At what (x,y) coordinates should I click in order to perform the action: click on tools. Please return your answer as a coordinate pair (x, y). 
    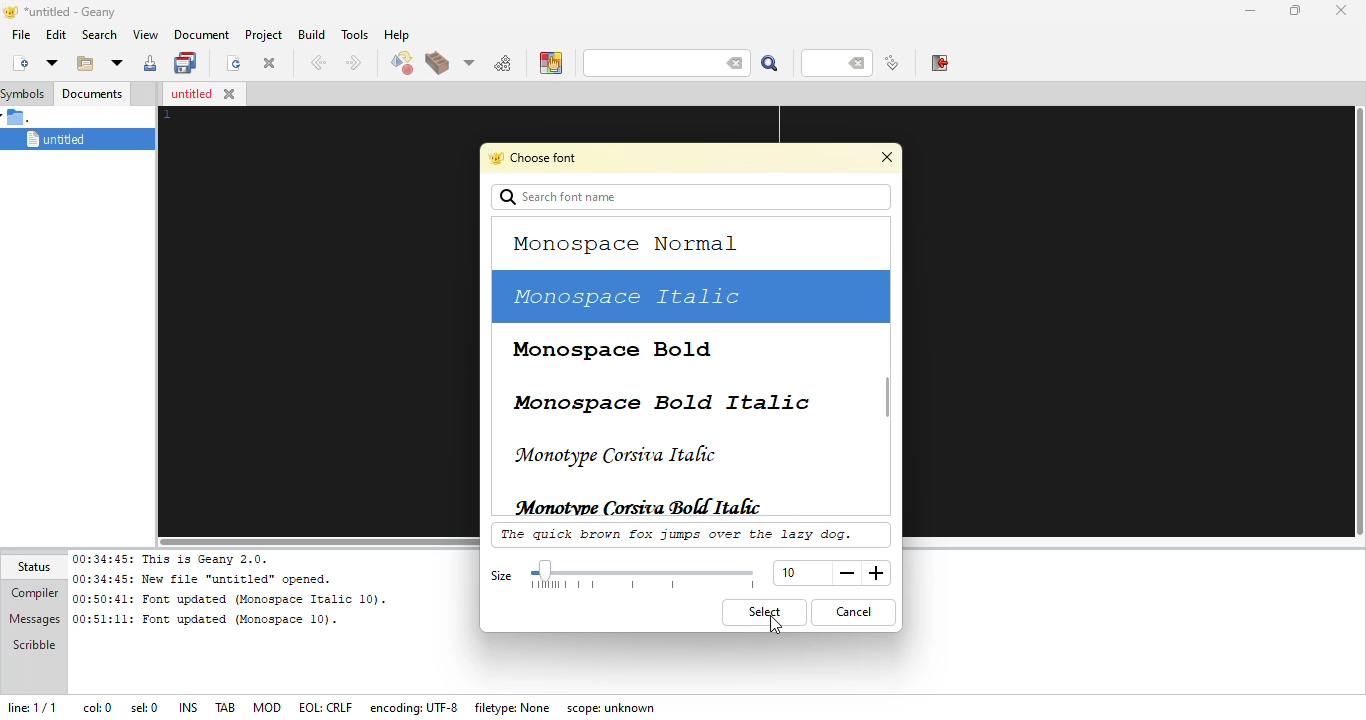
    Looking at the image, I should click on (355, 34).